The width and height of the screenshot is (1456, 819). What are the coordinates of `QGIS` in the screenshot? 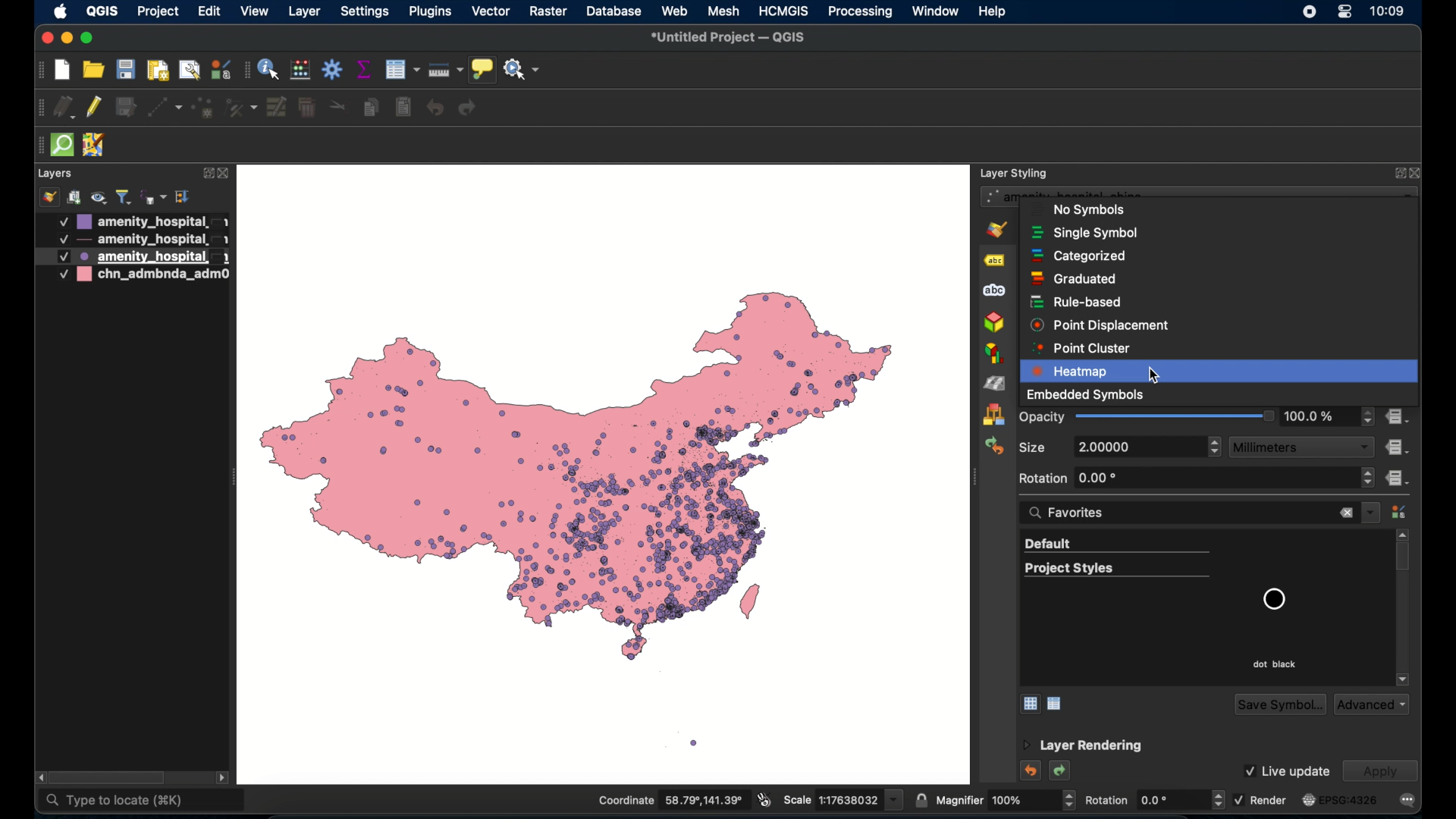 It's located at (102, 11).